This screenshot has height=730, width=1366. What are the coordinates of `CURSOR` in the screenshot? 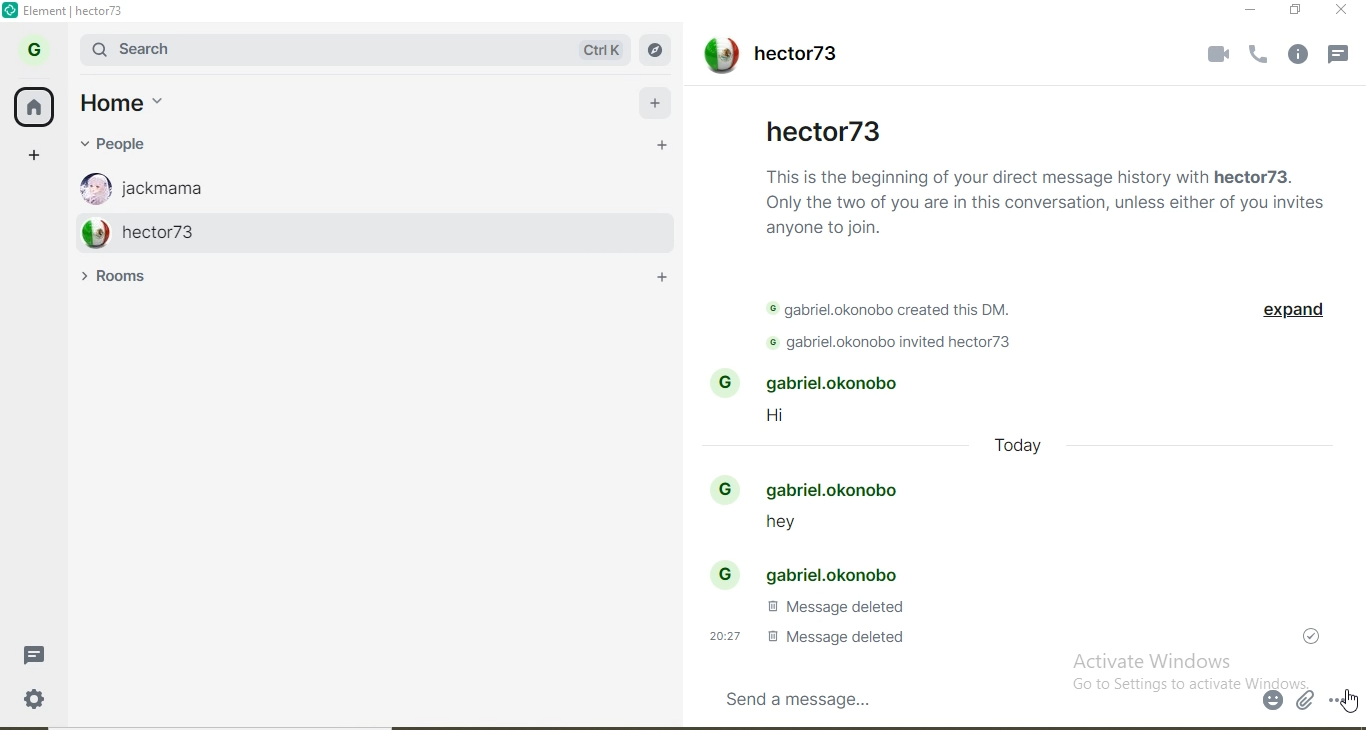 It's located at (1349, 704).